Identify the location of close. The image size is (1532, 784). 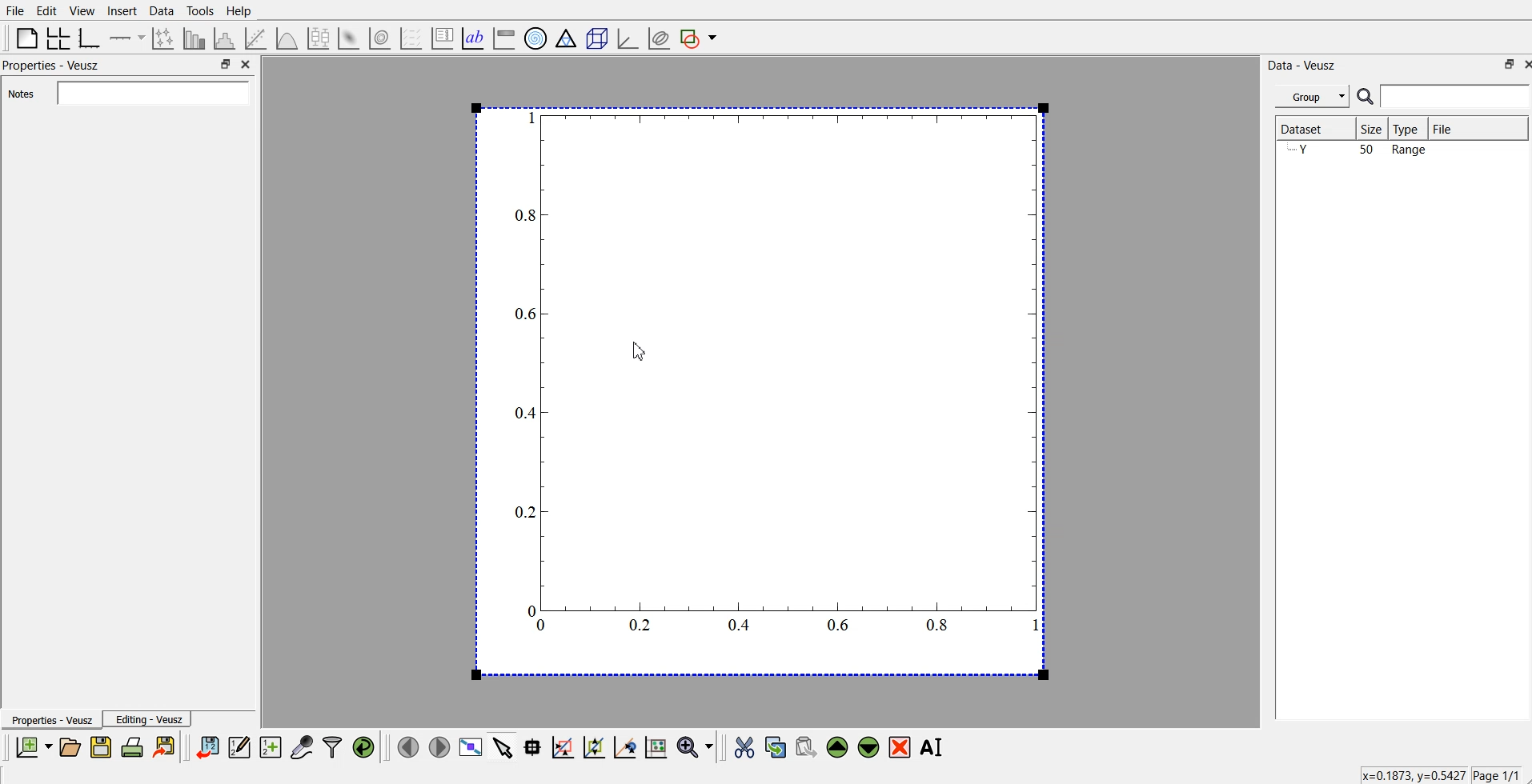
(247, 62).